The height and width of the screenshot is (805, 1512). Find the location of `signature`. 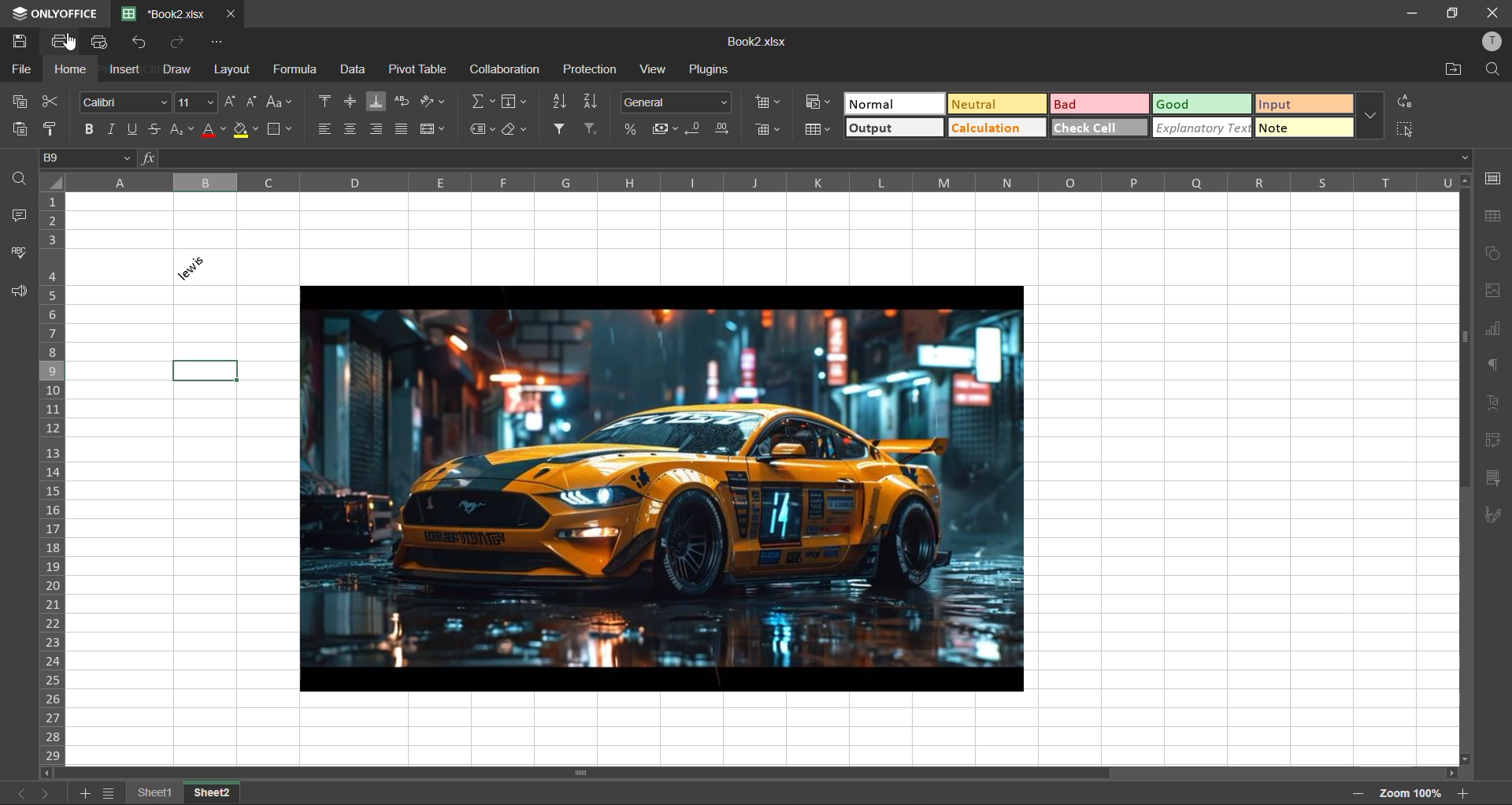

signature is located at coordinates (1496, 516).